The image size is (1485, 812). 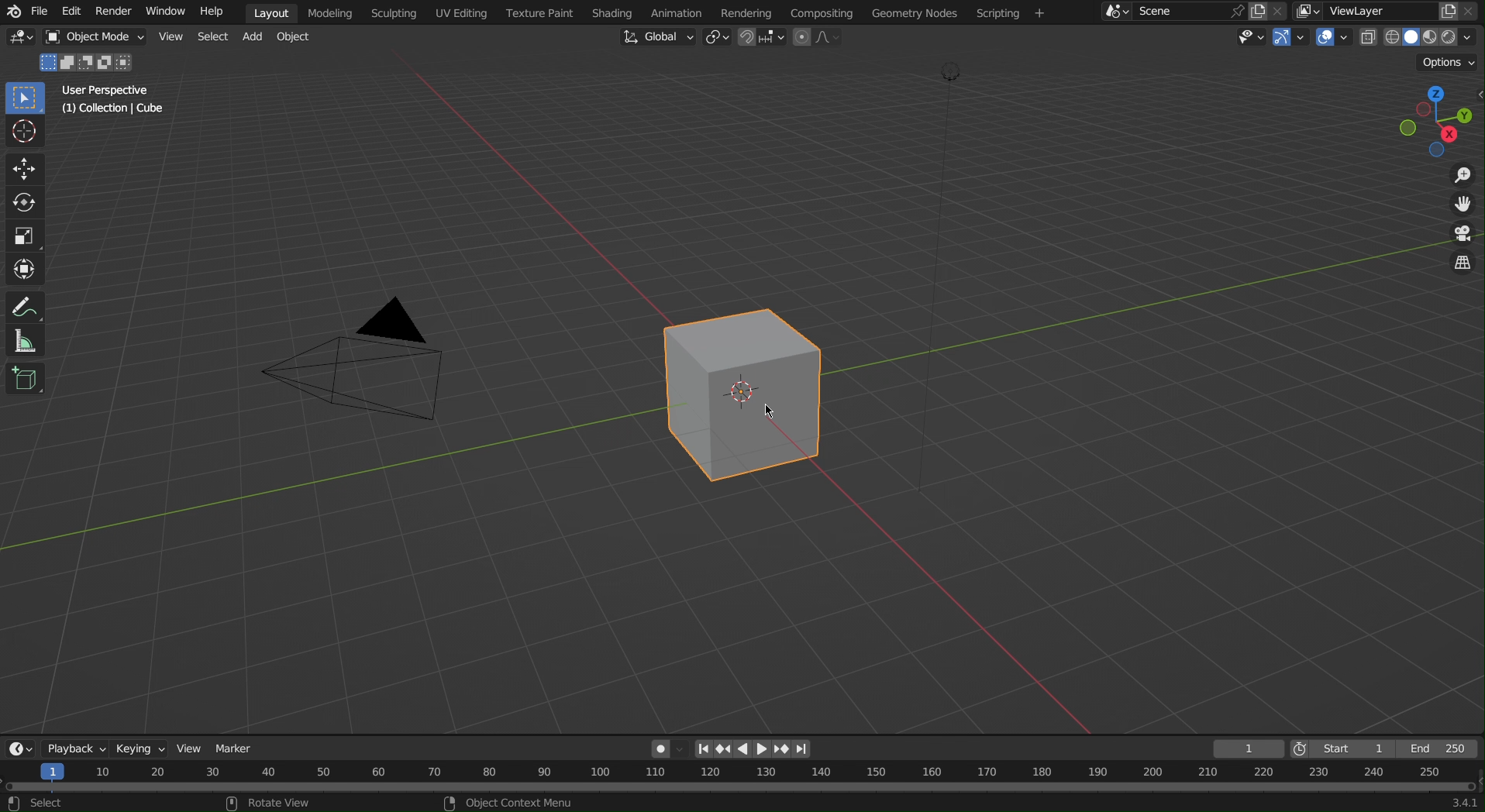 I want to click on Viewpoint, so click(x=1417, y=122).